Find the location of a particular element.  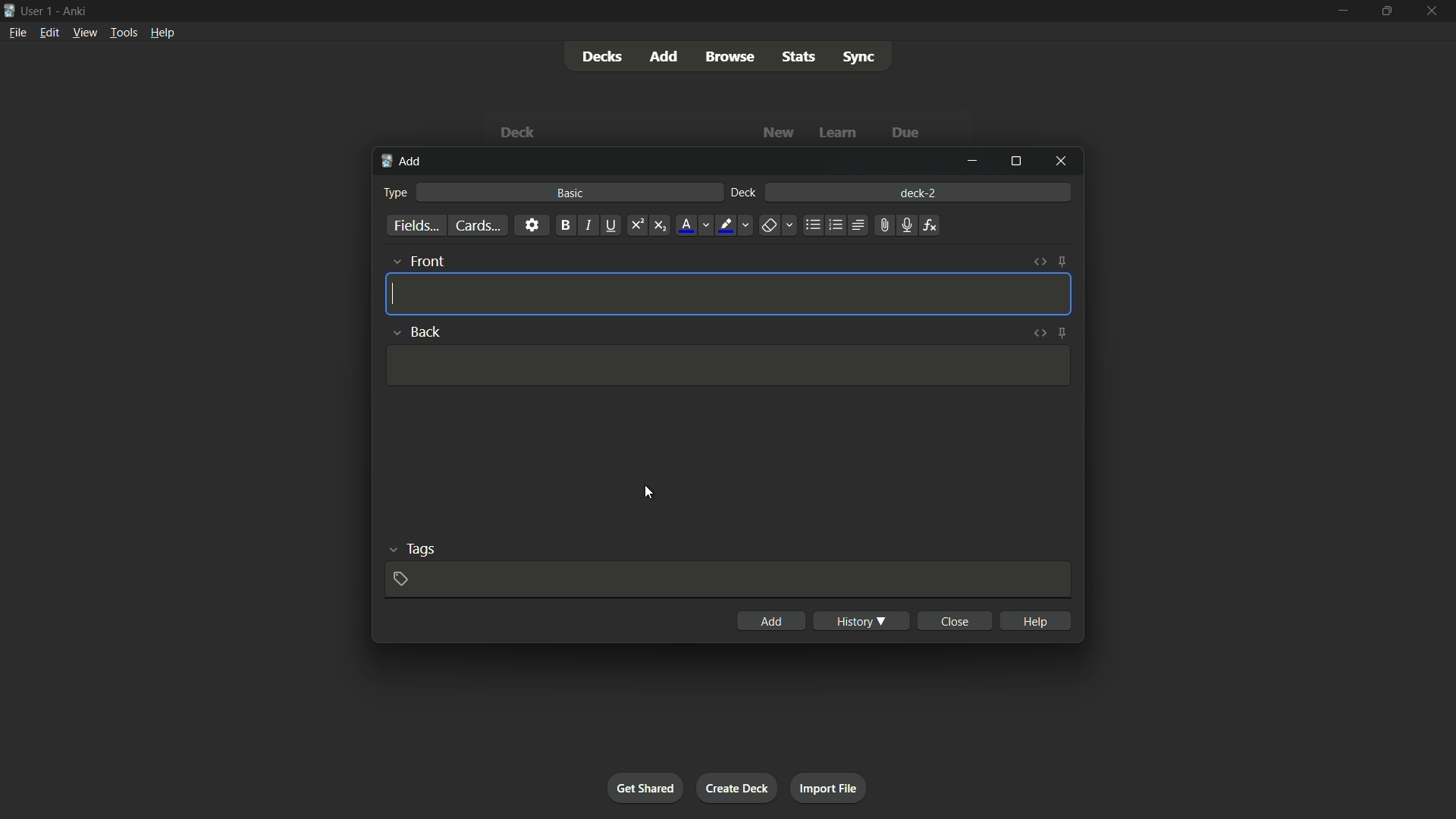

add is located at coordinates (775, 621).